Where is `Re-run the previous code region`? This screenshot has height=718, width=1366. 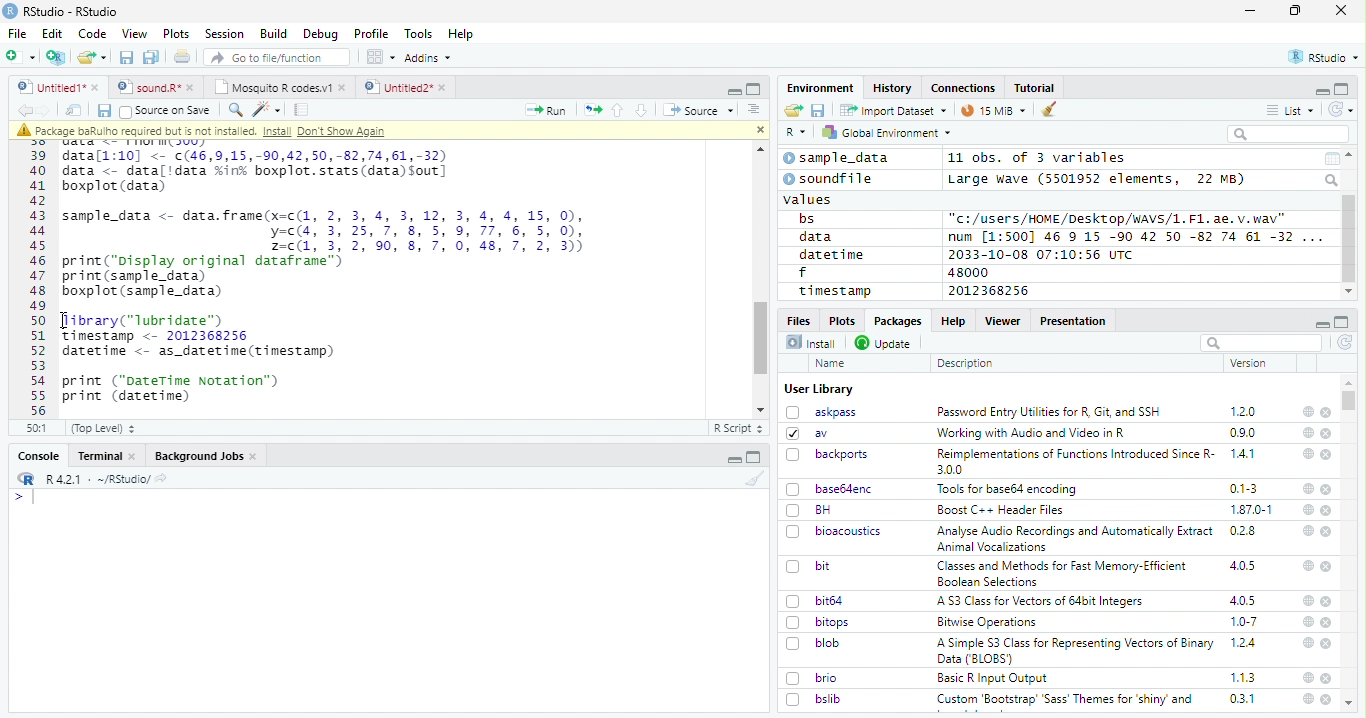
Re-run the previous code region is located at coordinates (591, 111).